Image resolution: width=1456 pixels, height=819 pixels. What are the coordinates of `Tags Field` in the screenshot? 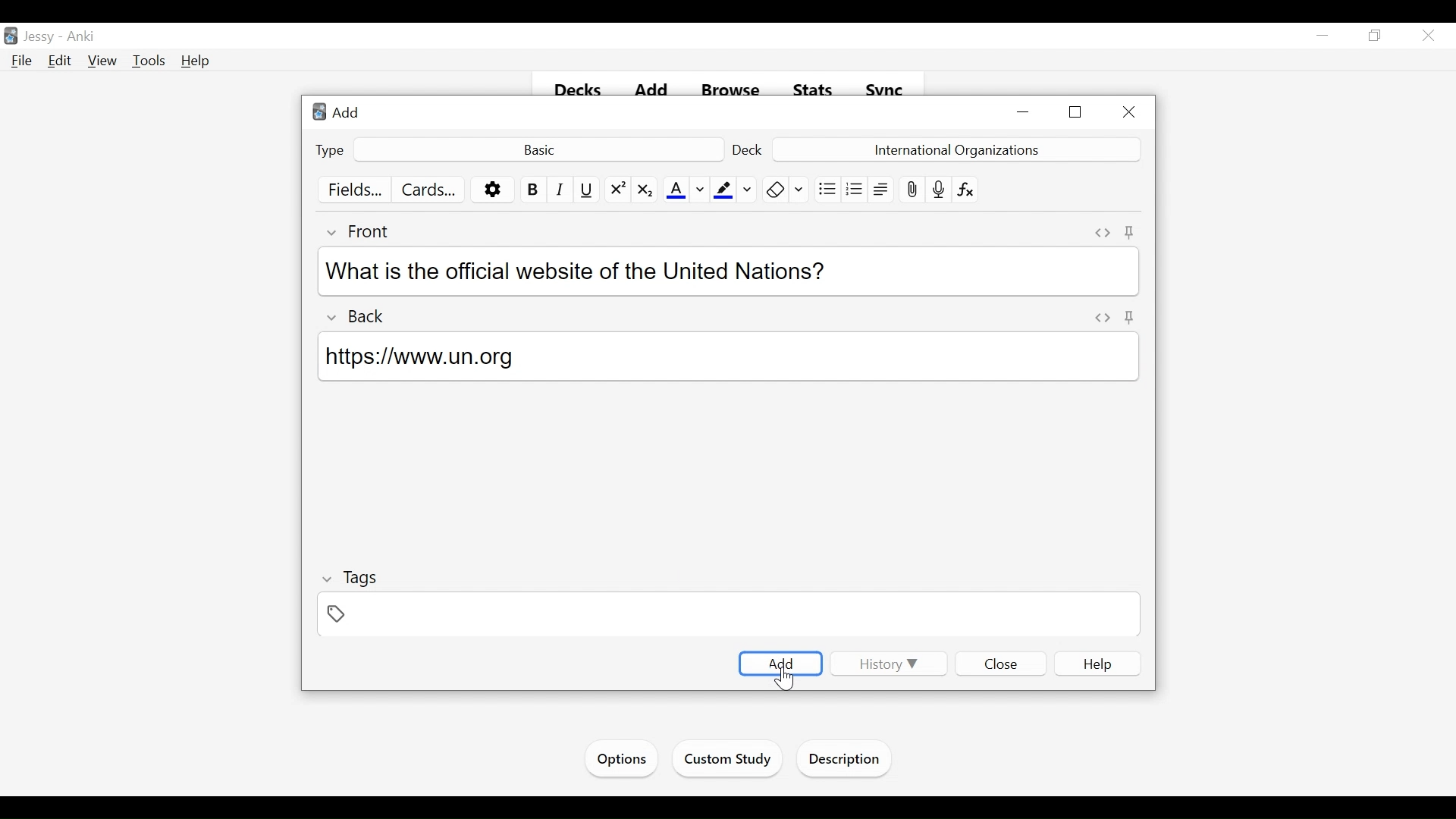 It's located at (730, 617).